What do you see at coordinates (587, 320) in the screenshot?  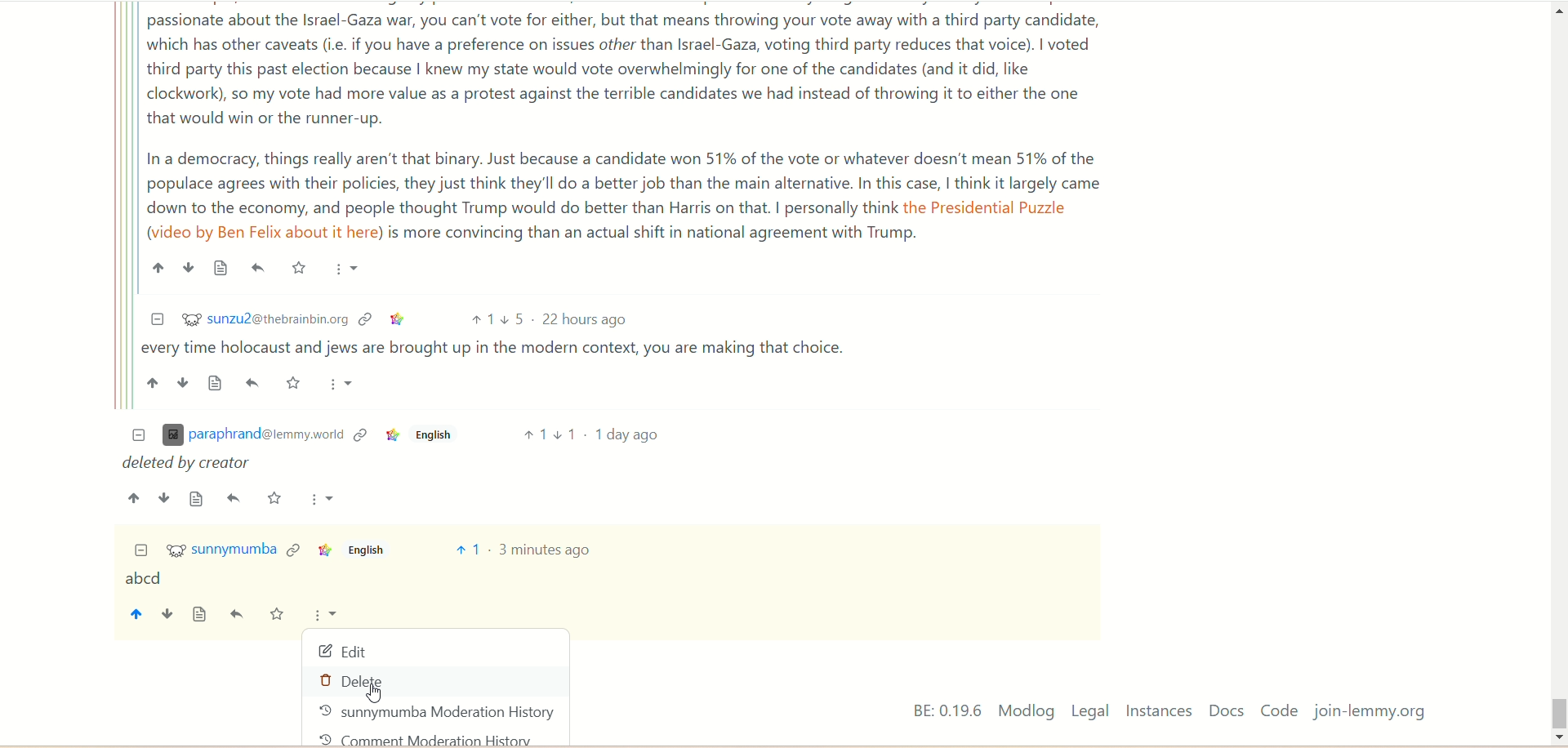 I see `22 hours ago` at bounding box center [587, 320].